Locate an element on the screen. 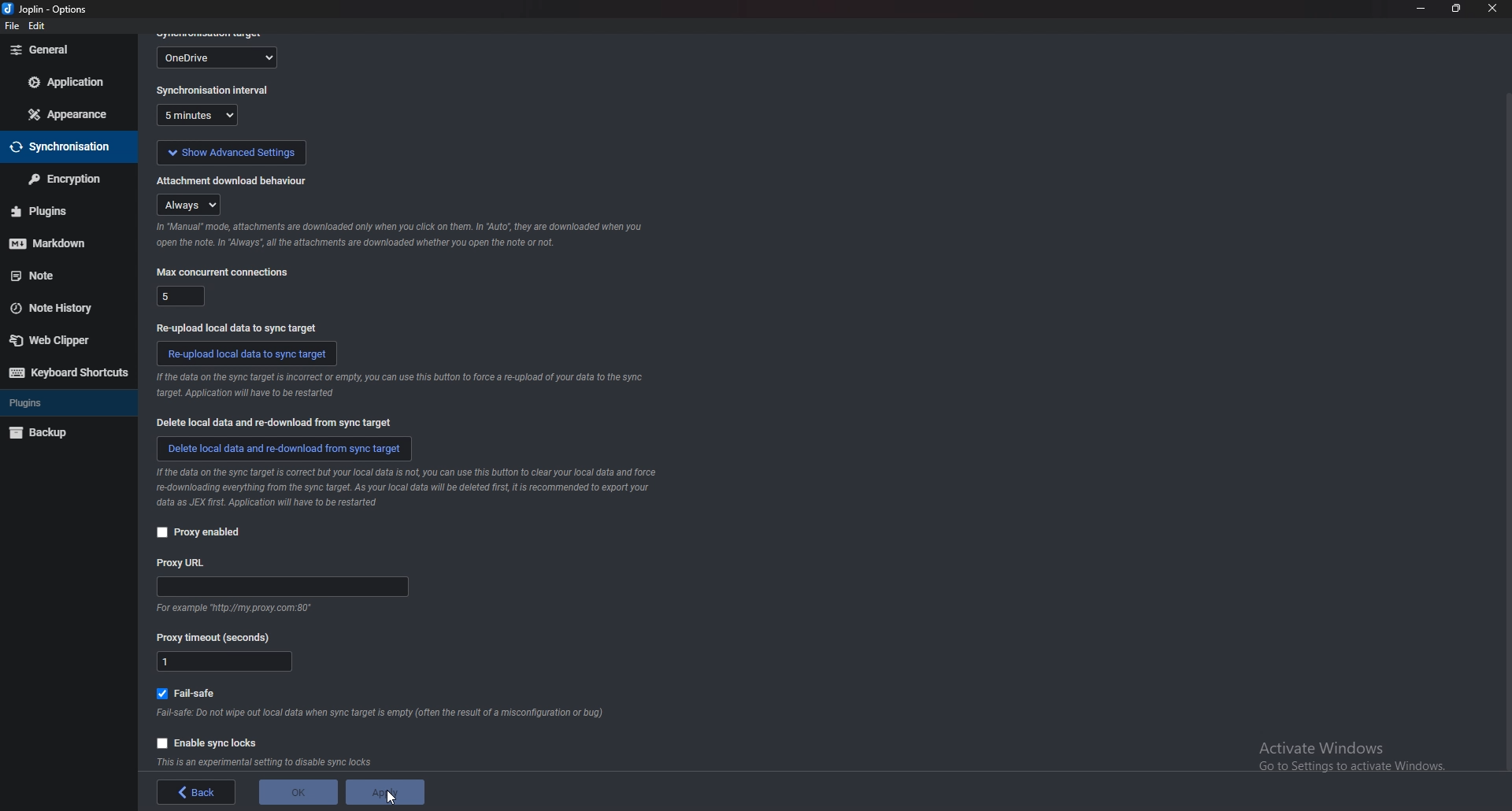 This screenshot has height=811, width=1512. proxy enabled is located at coordinates (198, 532).